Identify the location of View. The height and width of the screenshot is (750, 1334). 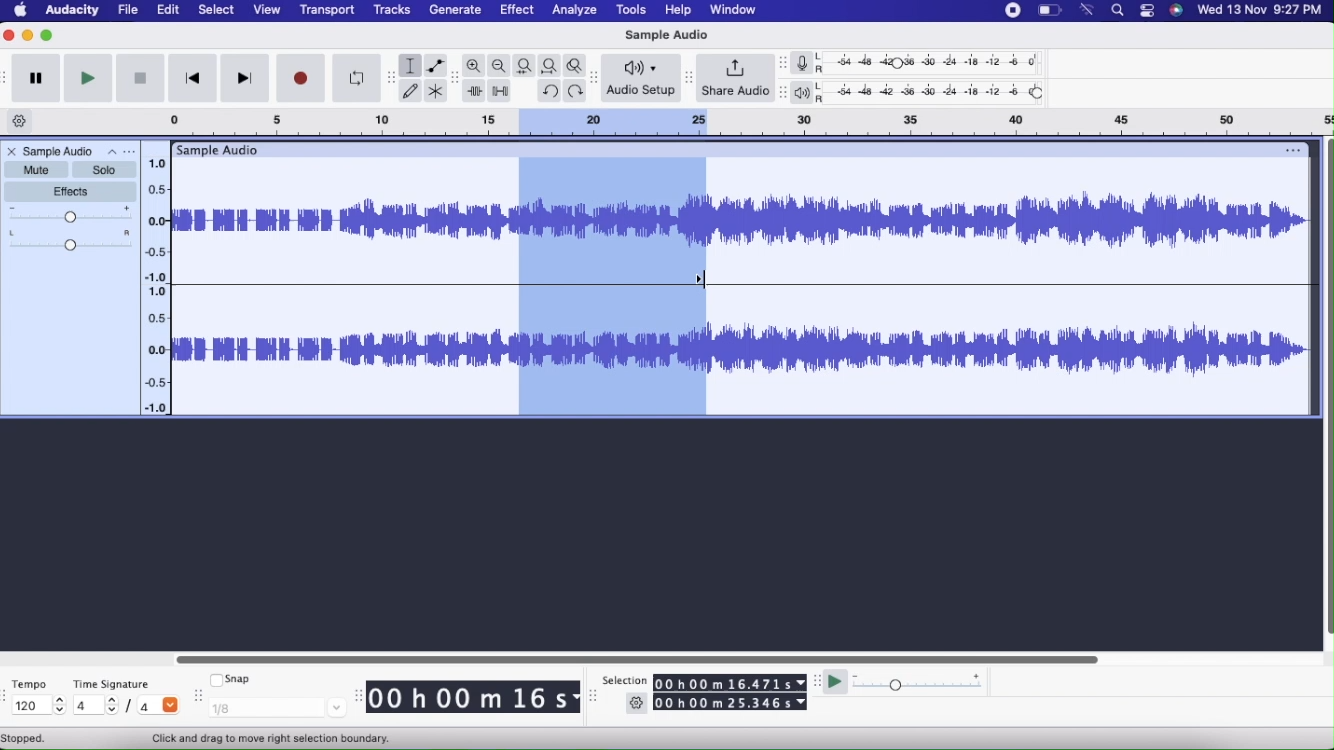
(264, 11).